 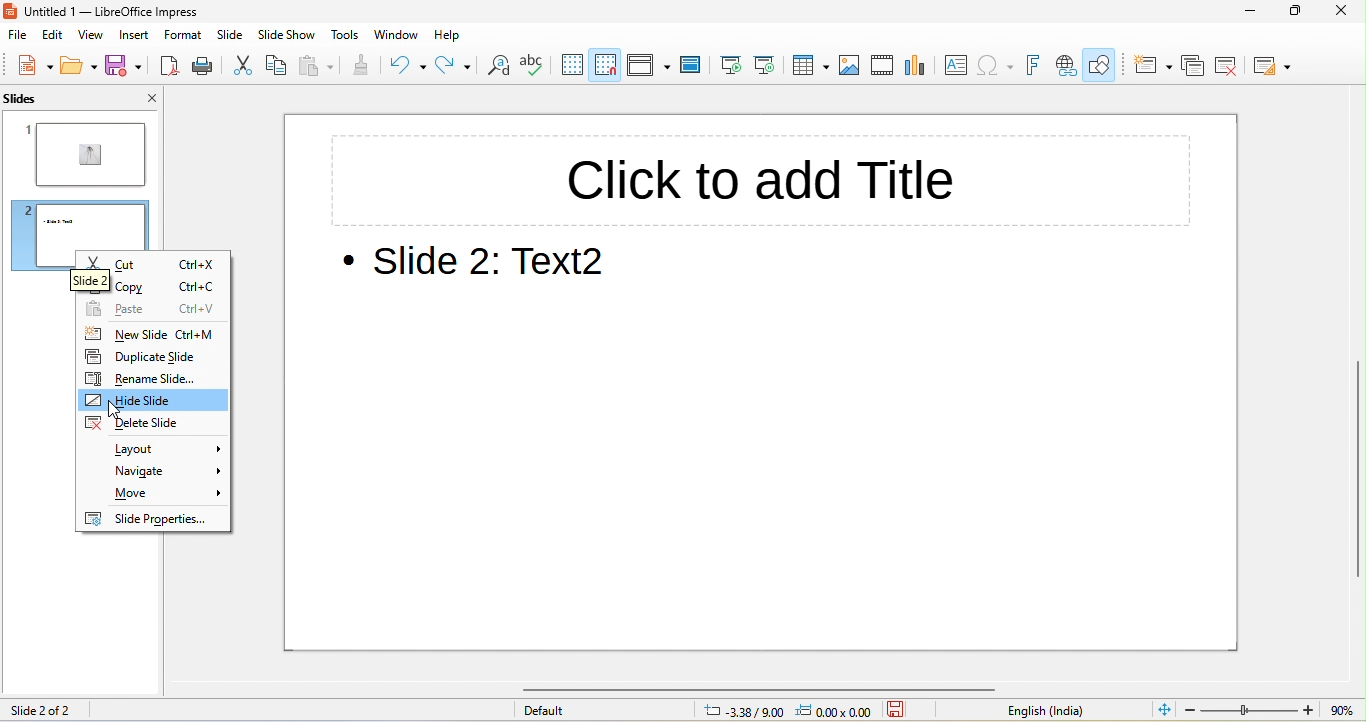 I want to click on cut, so click(x=117, y=266).